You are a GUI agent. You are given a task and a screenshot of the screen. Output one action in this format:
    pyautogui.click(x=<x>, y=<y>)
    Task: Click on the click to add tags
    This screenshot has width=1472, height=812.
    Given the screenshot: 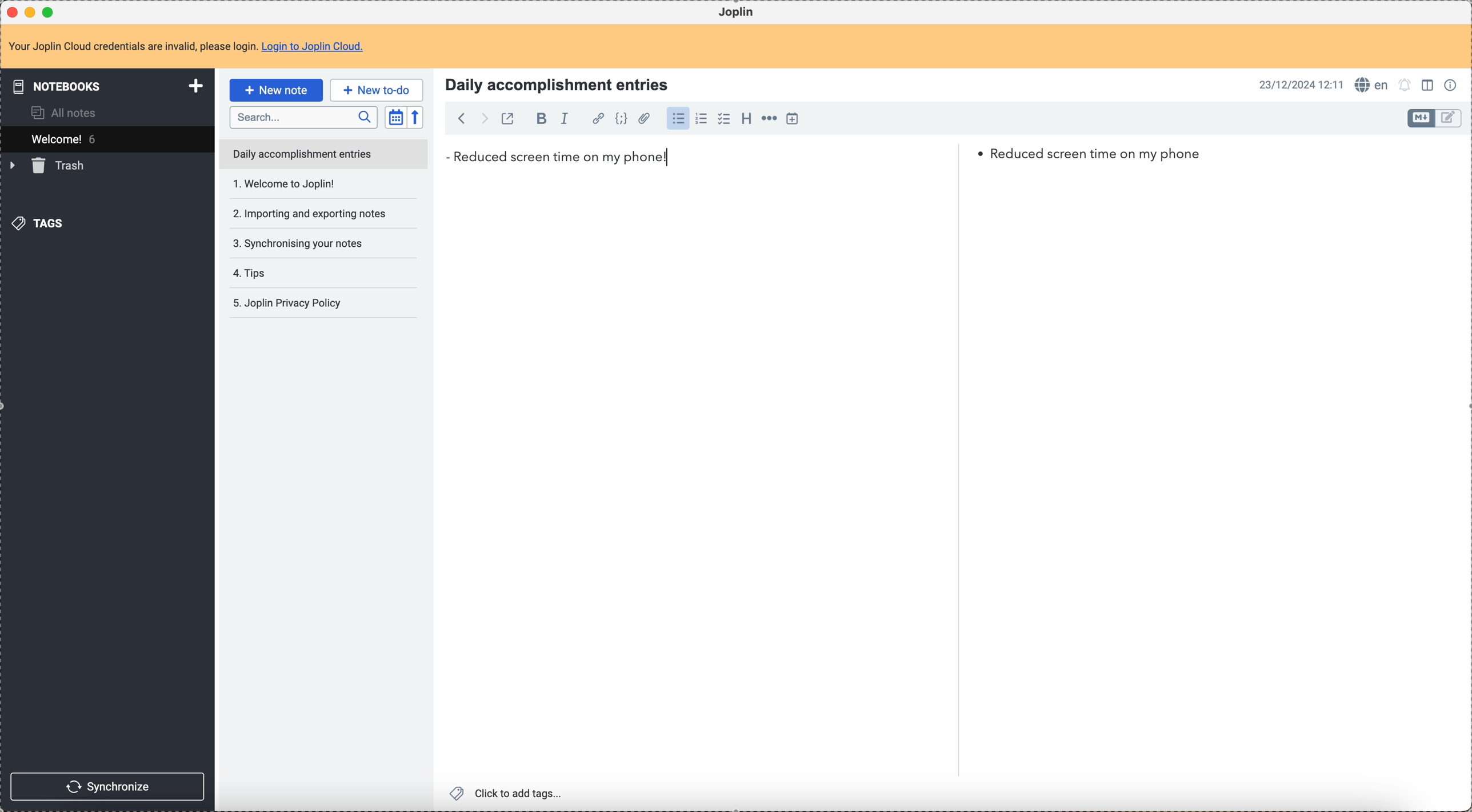 What is the action you would take?
    pyautogui.click(x=508, y=794)
    